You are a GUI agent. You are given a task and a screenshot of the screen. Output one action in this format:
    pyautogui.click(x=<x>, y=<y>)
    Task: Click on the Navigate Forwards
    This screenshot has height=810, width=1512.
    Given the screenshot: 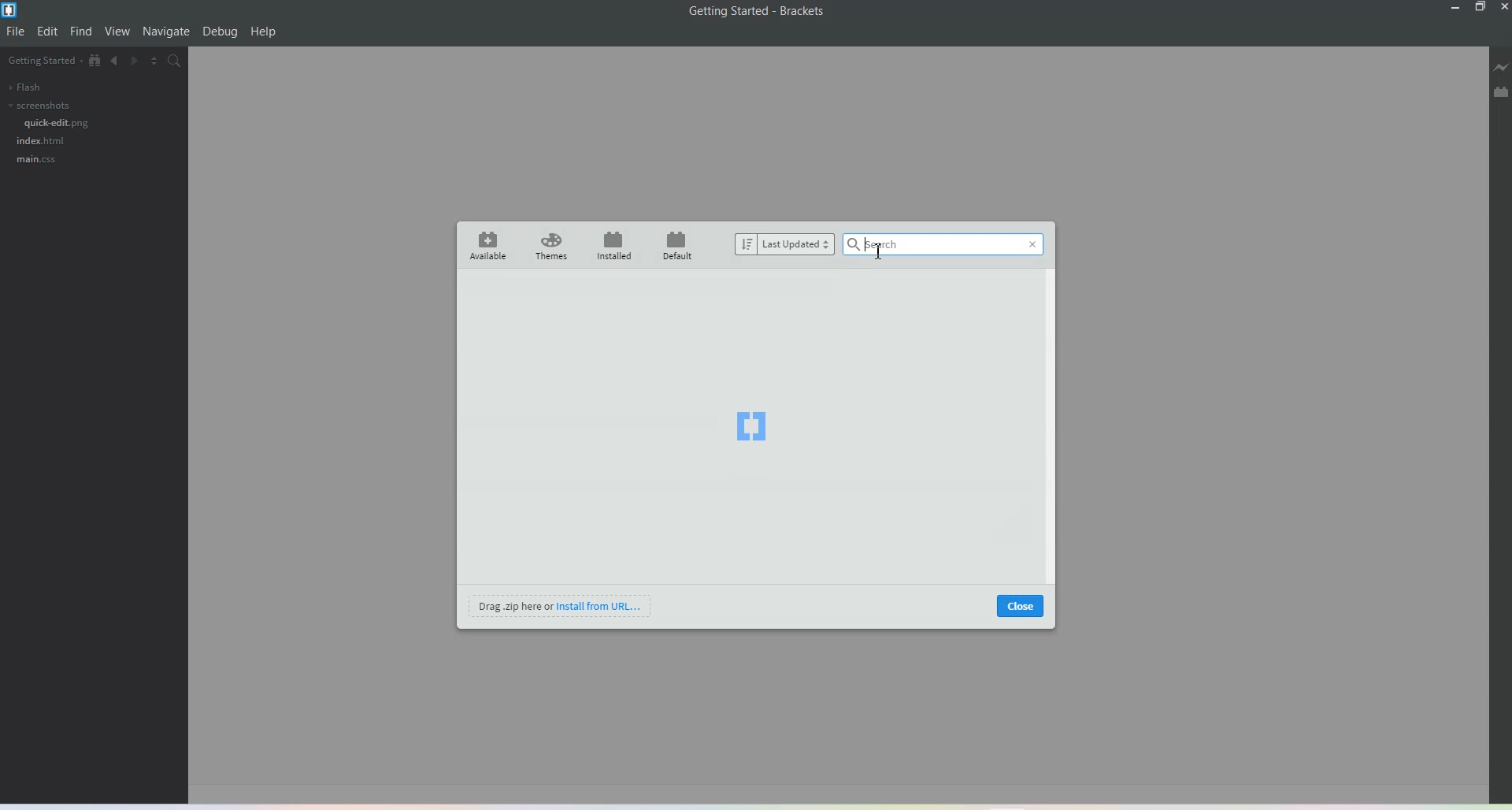 What is the action you would take?
    pyautogui.click(x=138, y=63)
    